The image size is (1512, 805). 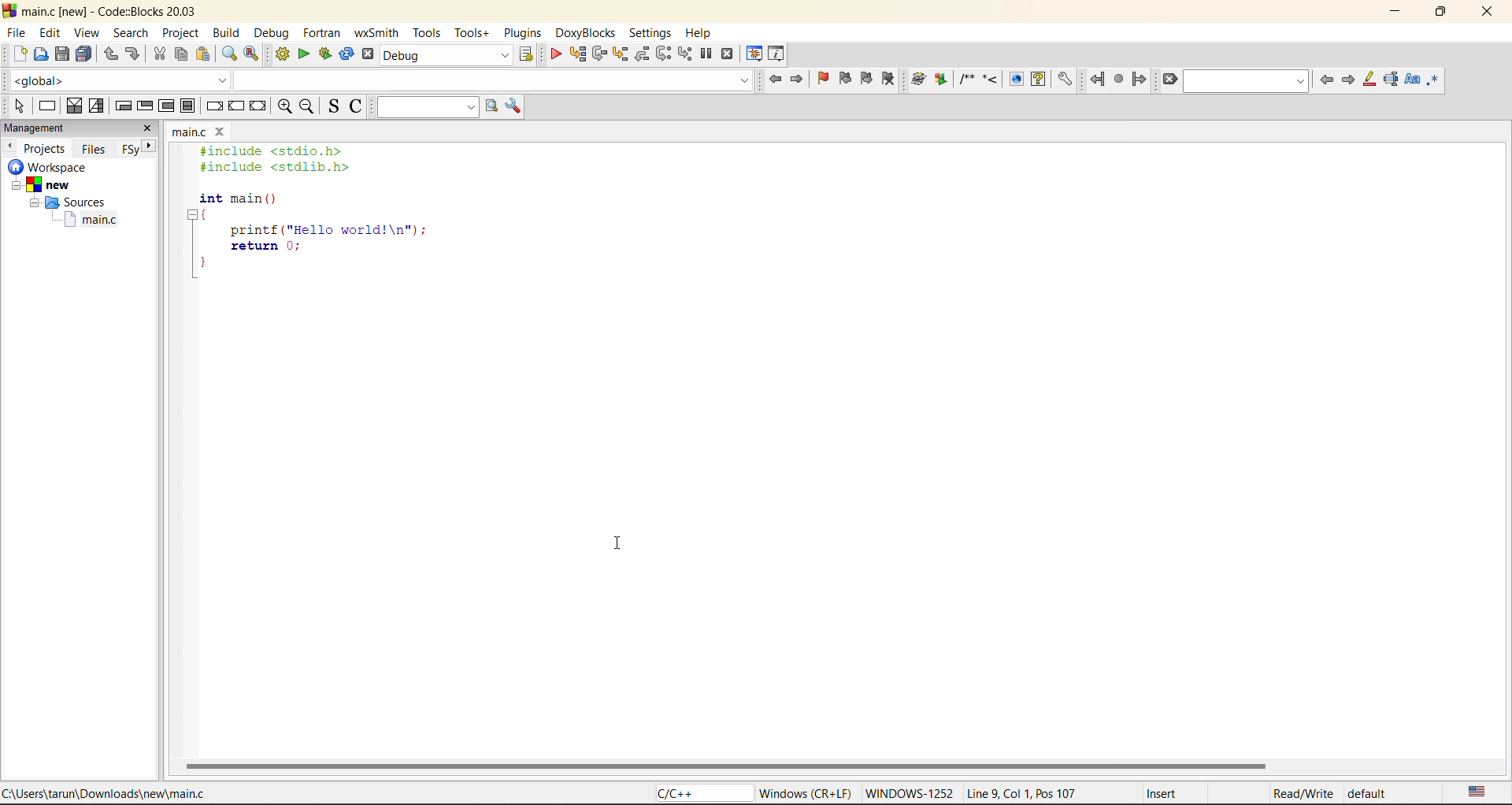 I want to click on build, so click(x=229, y=31).